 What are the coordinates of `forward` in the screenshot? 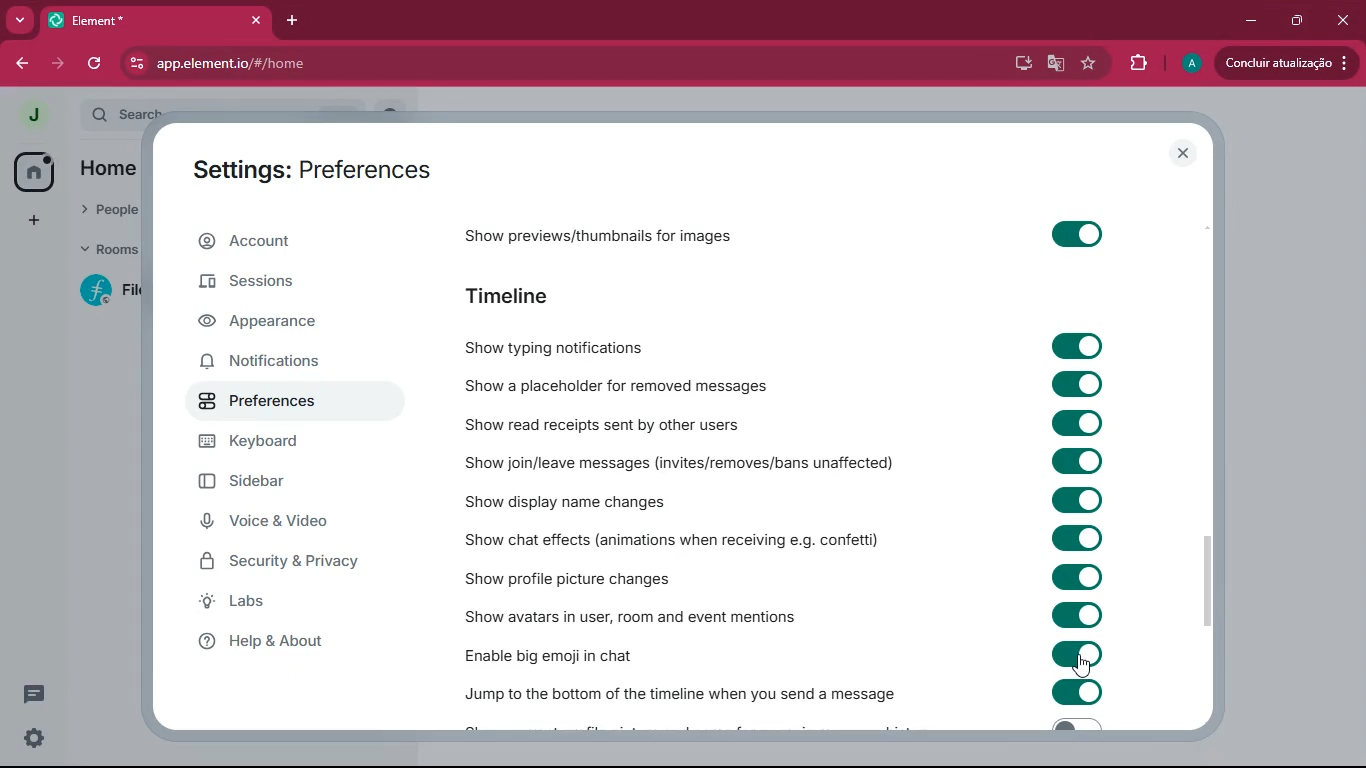 It's located at (61, 64).